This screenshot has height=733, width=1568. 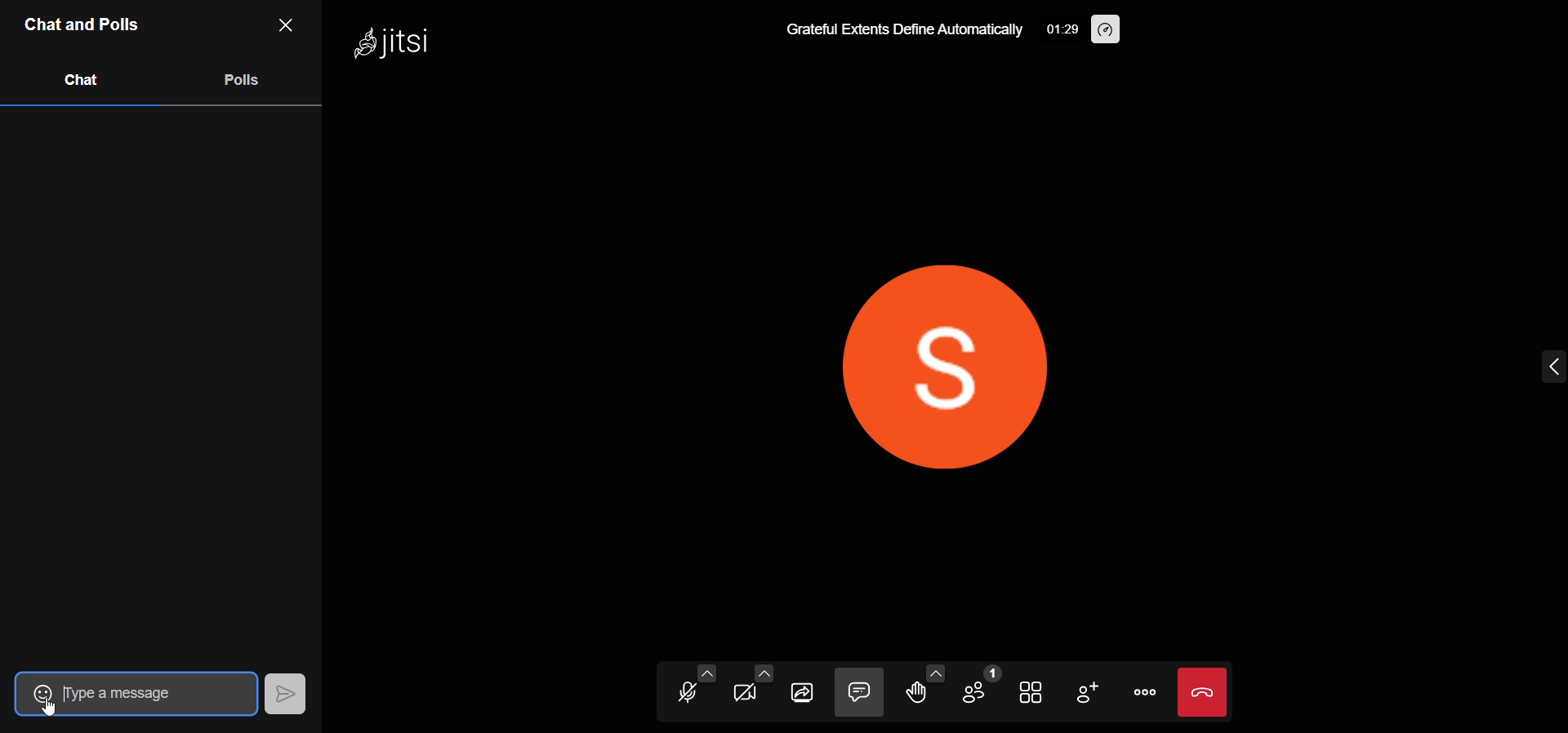 What do you see at coordinates (1147, 691) in the screenshot?
I see `more` at bounding box center [1147, 691].